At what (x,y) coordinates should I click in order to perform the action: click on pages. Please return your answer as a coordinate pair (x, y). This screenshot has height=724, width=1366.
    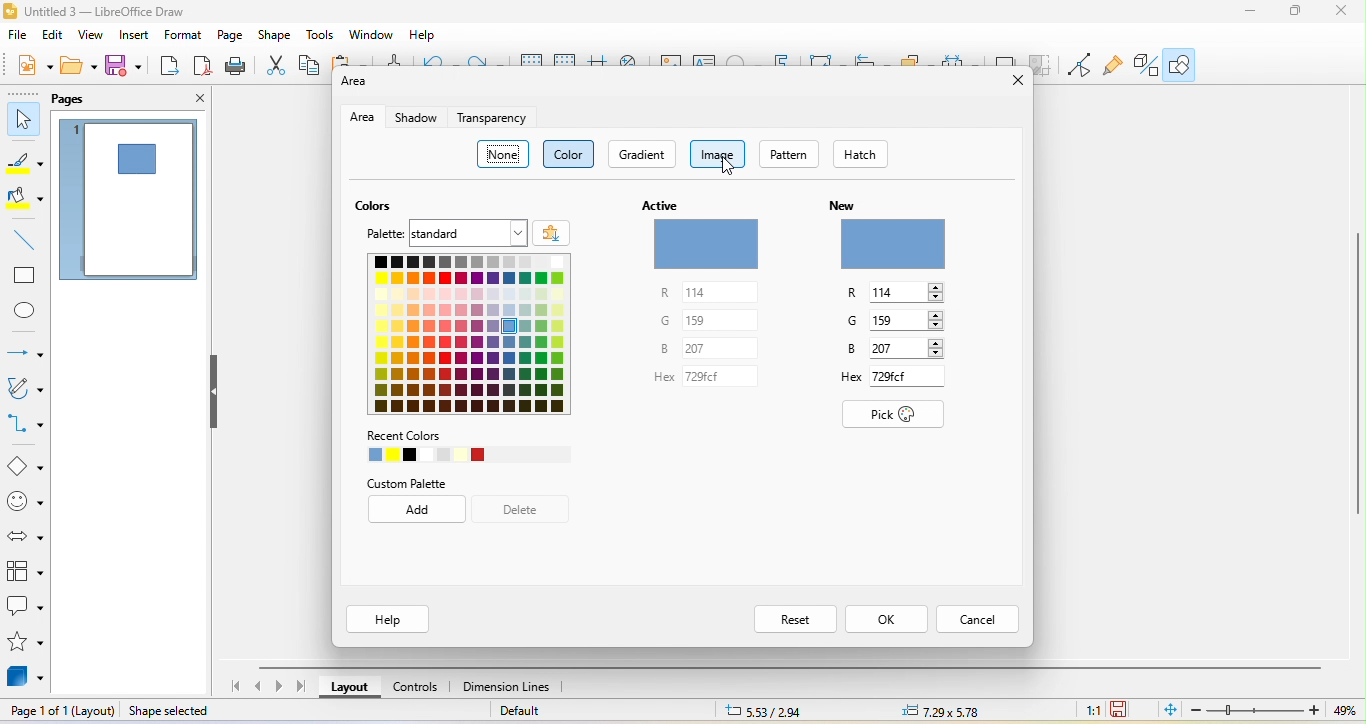
    Looking at the image, I should click on (78, 100).